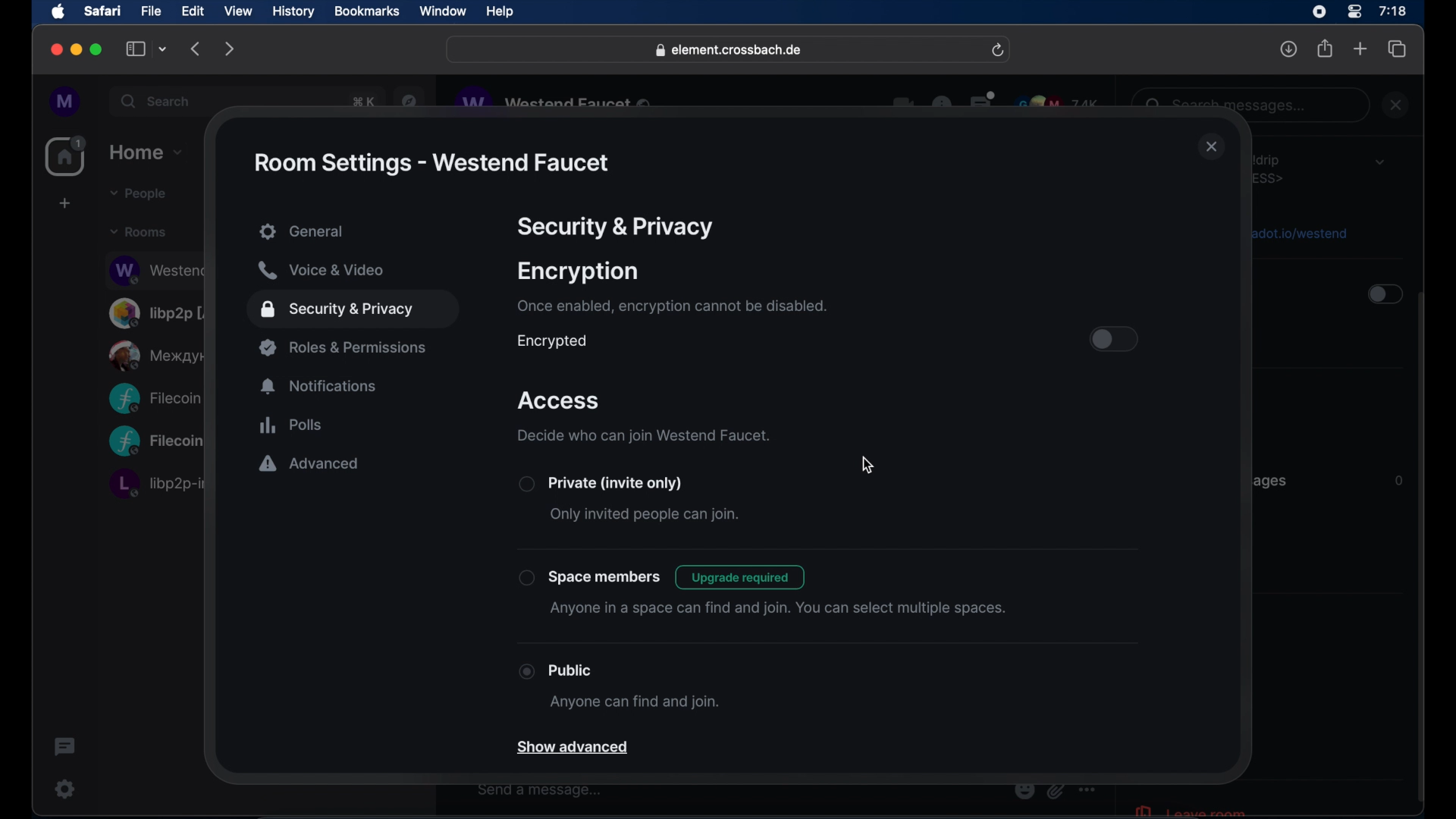 The width and height of the screenshot is (1456, 819). Describe the element at coordinates (1189, 809) in the screenshot. I see `leave room` at that location.